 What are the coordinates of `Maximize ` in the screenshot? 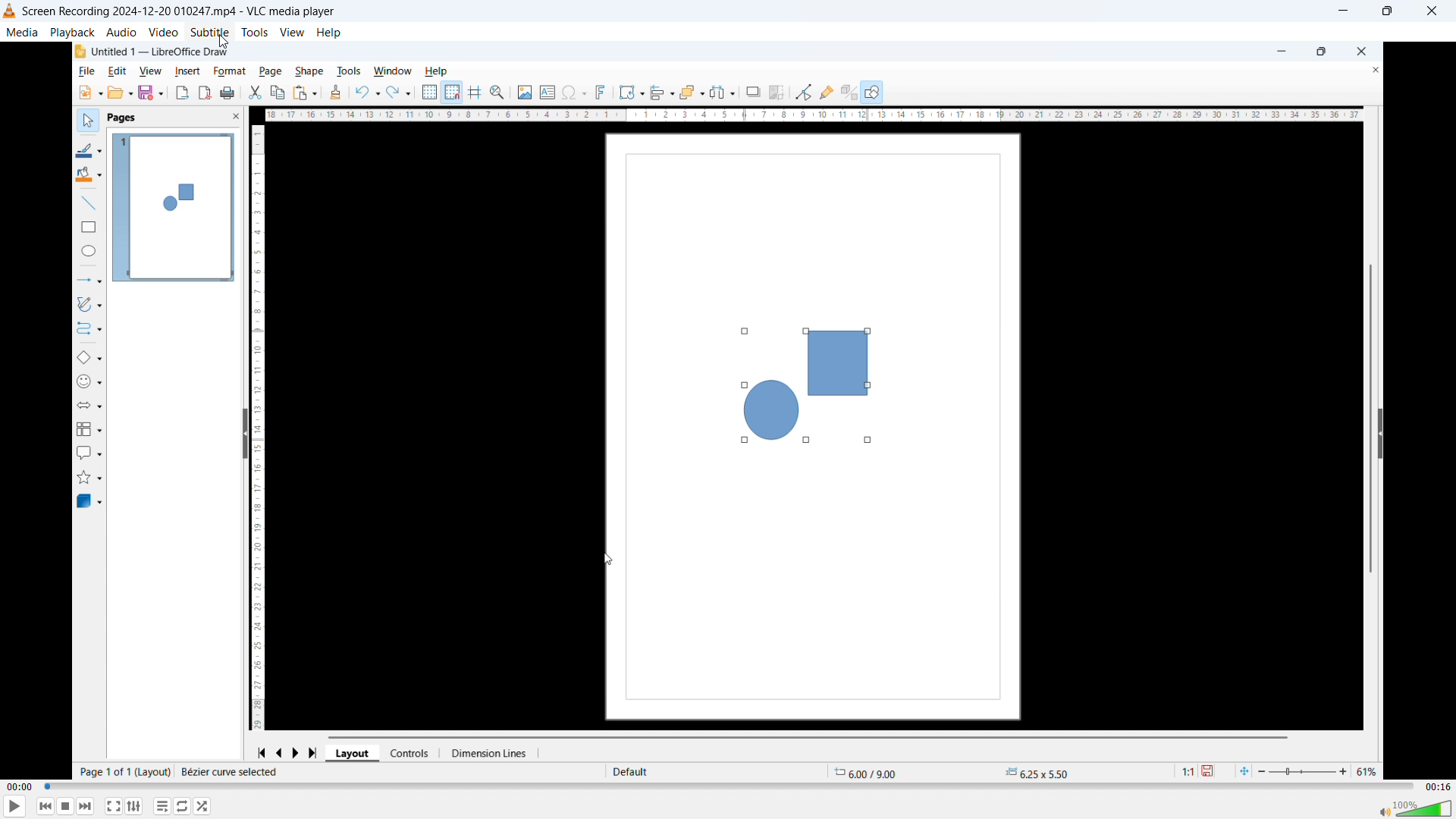 It's located at (1385, 11).